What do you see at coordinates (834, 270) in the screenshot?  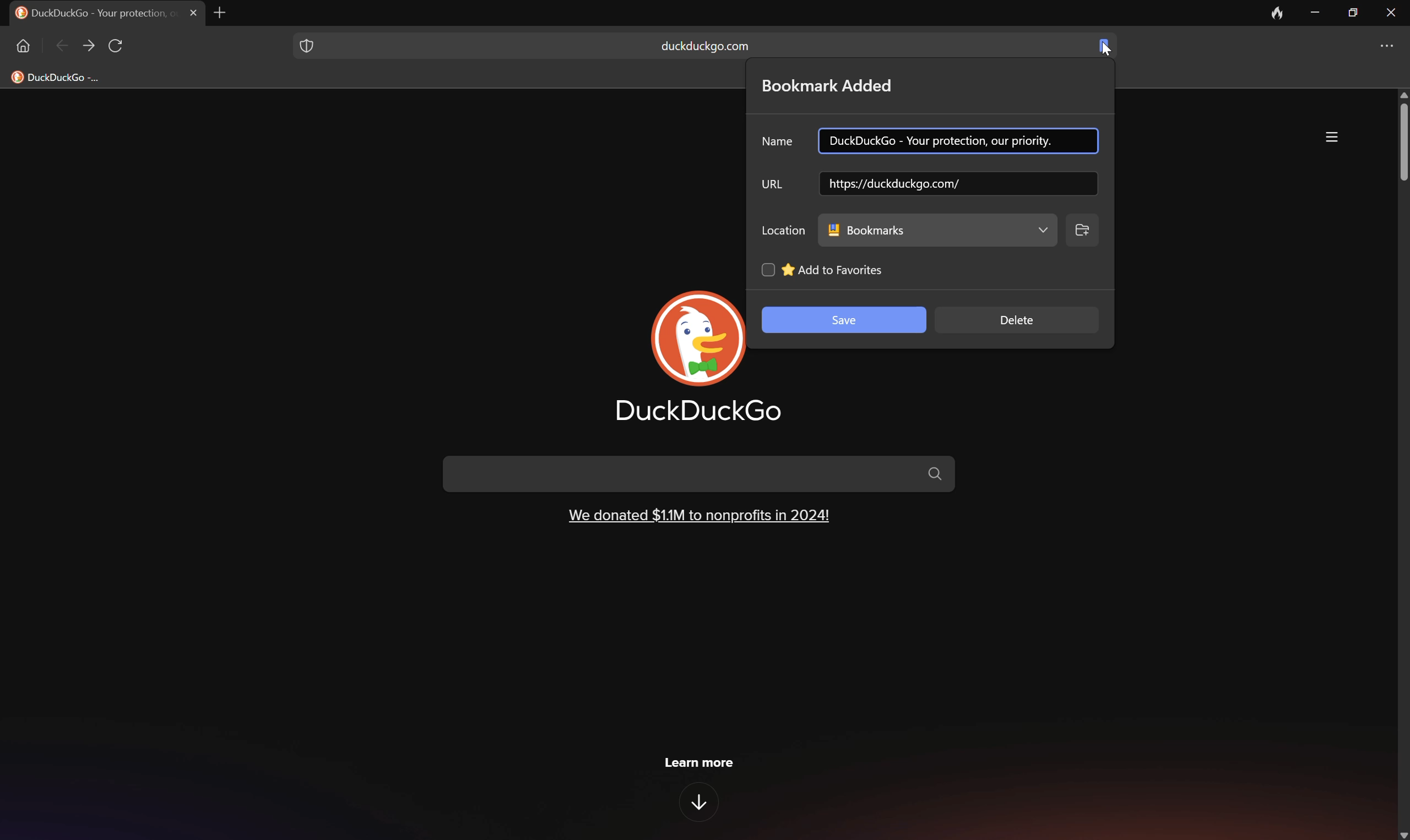 I see `Add to favorites` at bounding box center [834, 270].